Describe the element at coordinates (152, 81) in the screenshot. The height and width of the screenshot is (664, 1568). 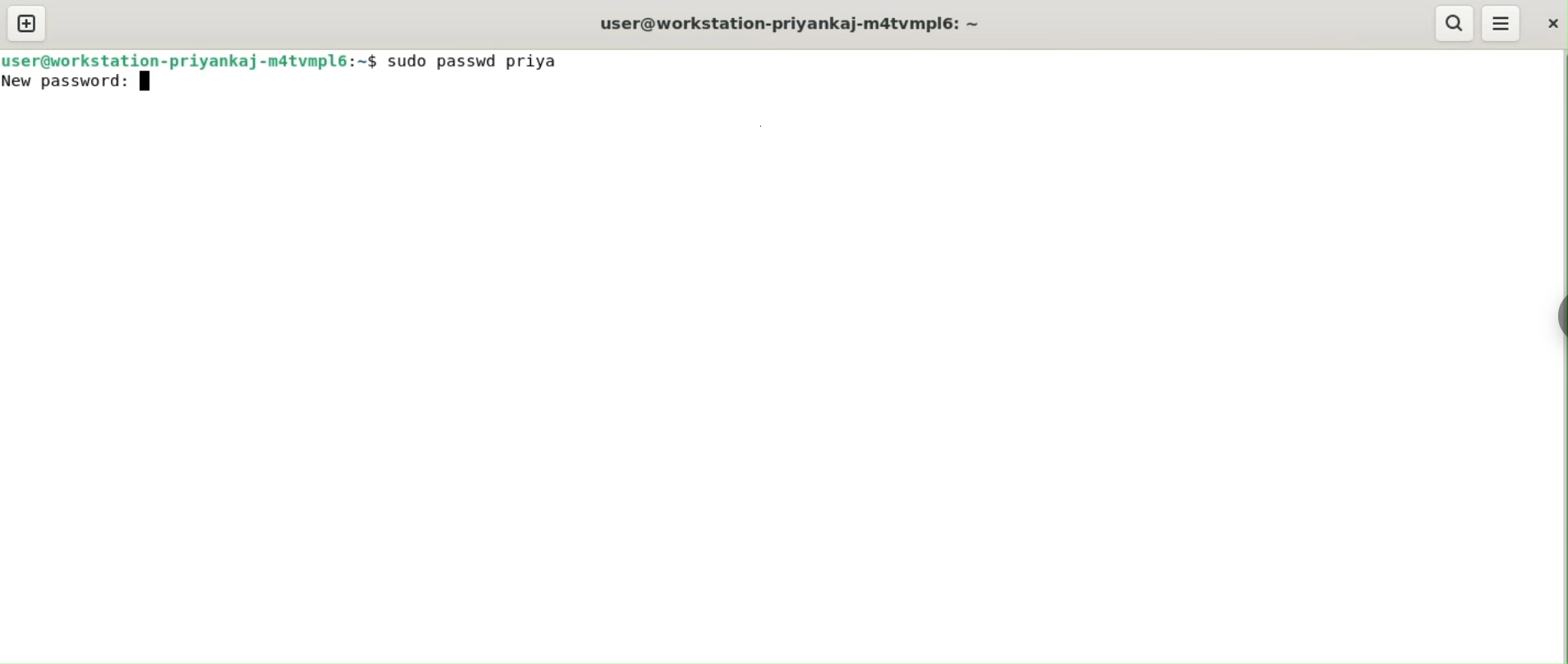
I see `text icon` at that location.